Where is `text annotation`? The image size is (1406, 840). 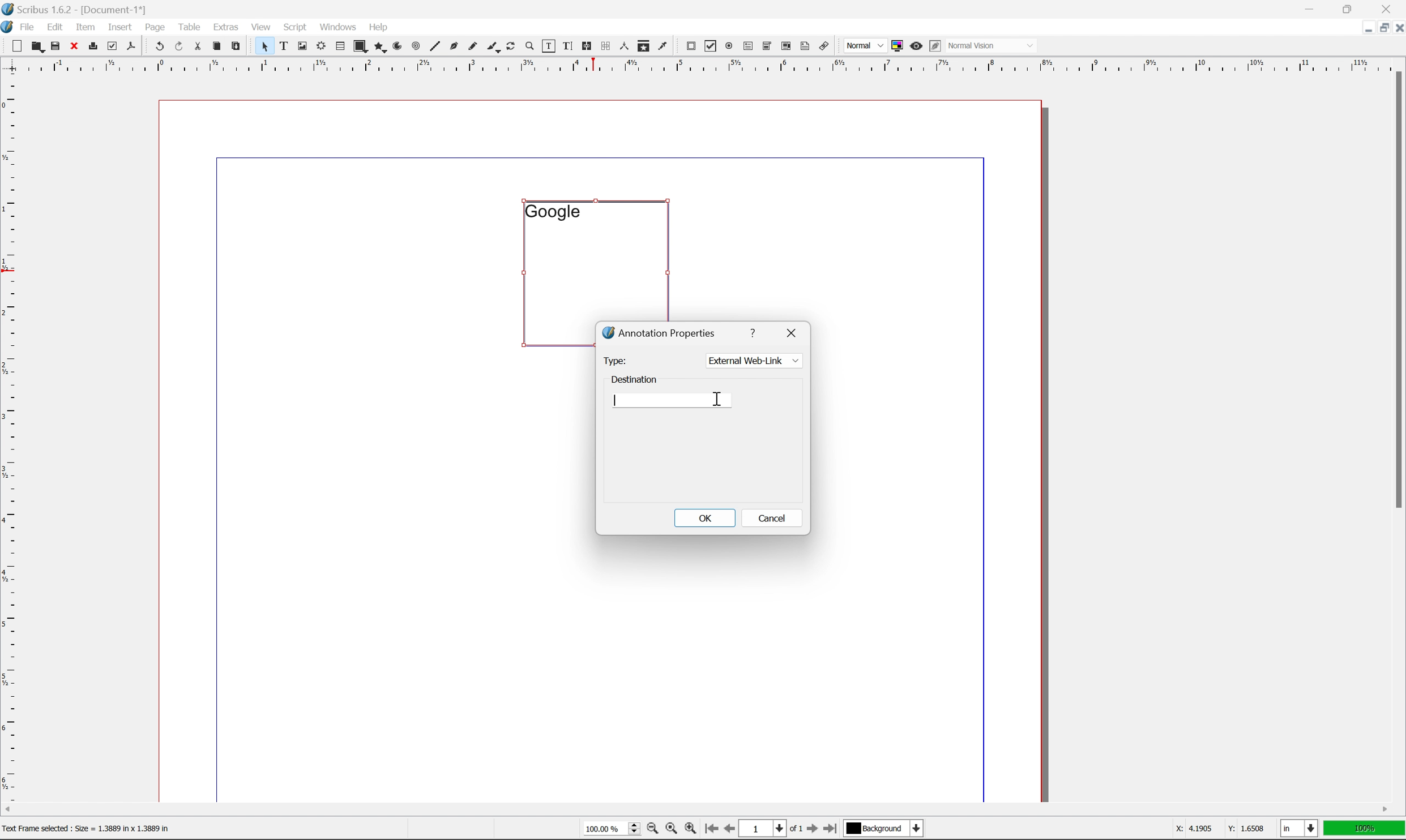
text annotation is located at coordinates (805, 46).